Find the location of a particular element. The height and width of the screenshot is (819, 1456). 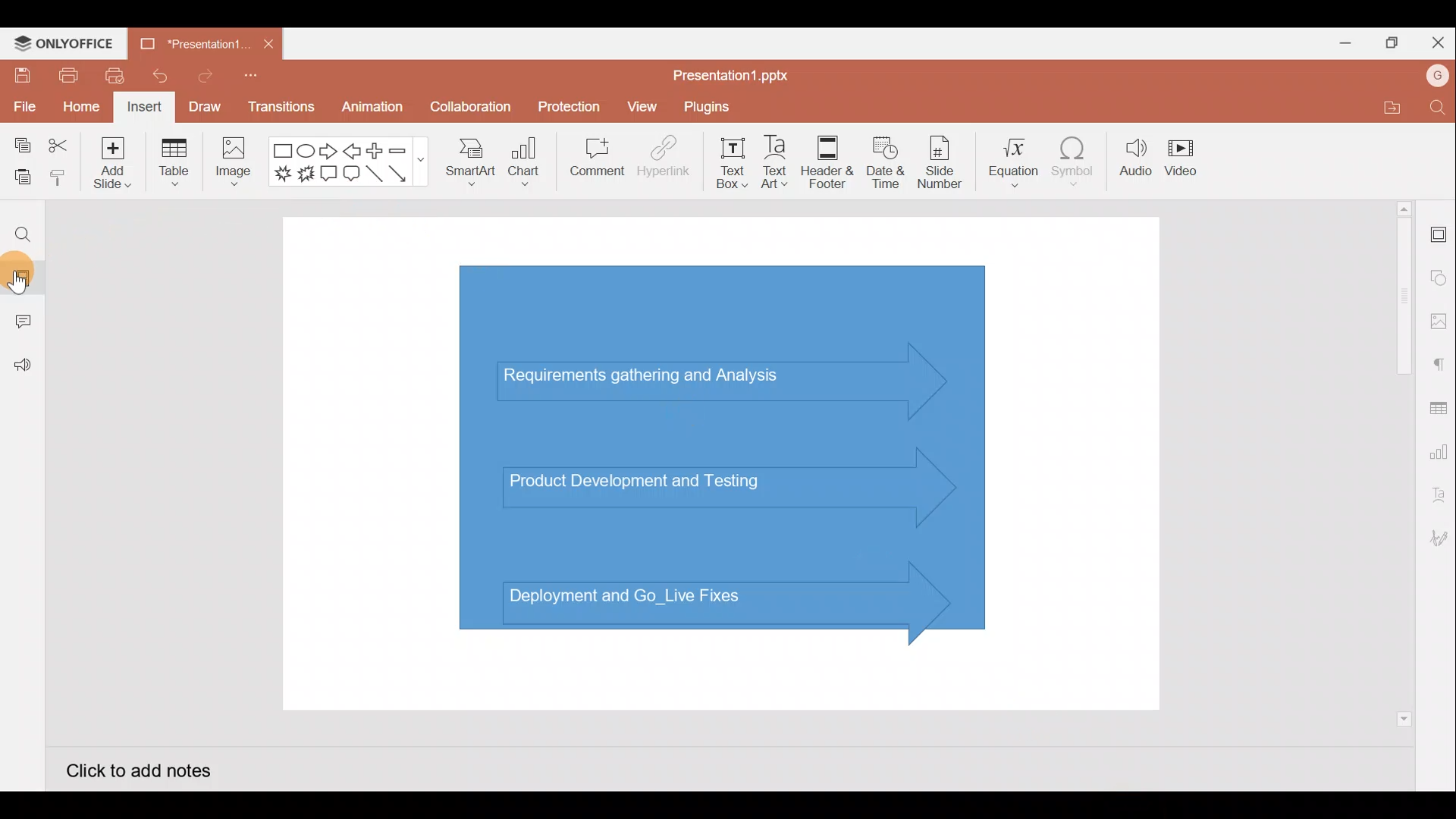

Click to add notes is located at coordinates (132, 771).